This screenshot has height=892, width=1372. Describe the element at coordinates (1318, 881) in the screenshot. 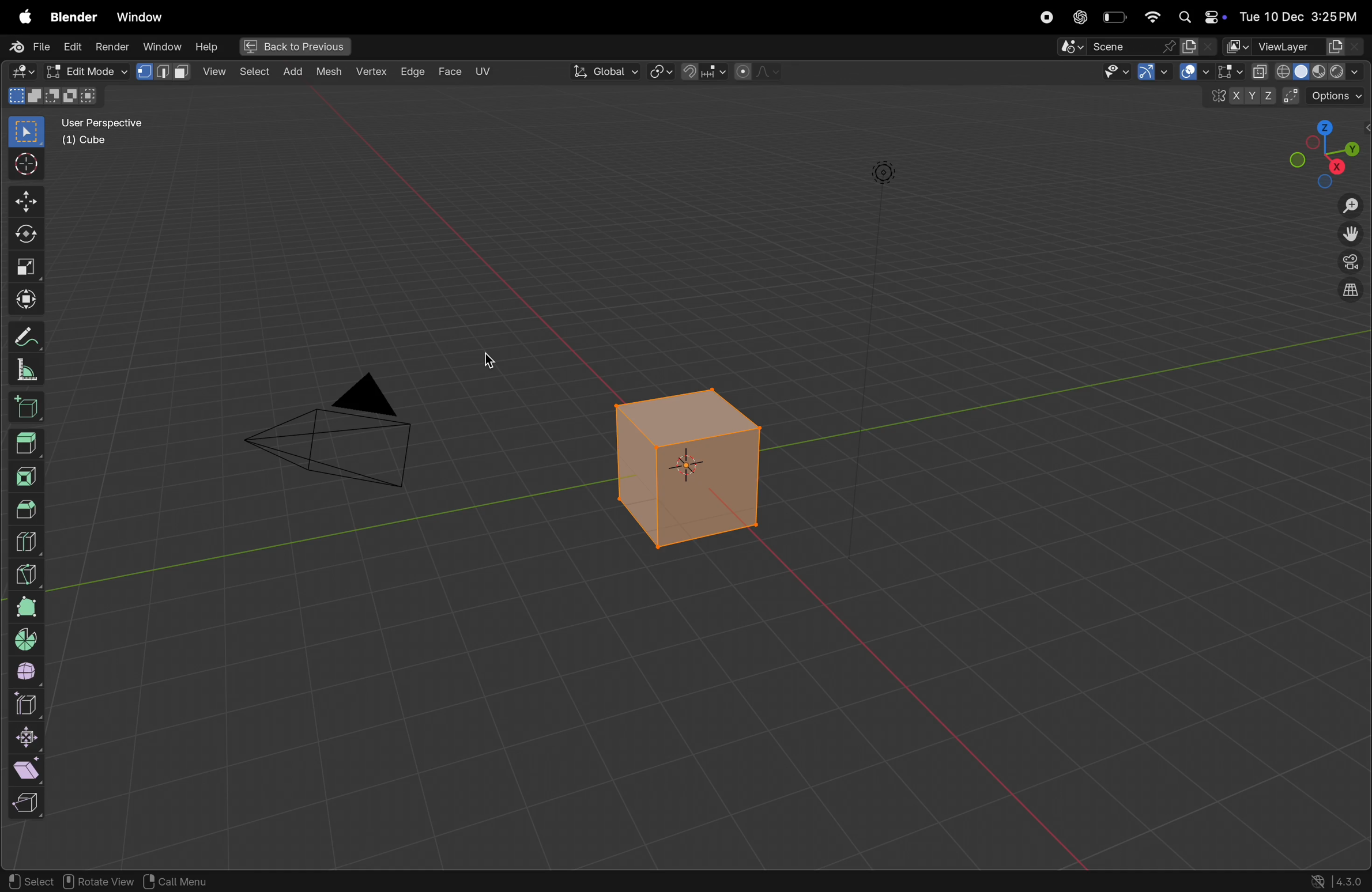

I see `Show system preferences  "Network" panel to allow online access` at that location.